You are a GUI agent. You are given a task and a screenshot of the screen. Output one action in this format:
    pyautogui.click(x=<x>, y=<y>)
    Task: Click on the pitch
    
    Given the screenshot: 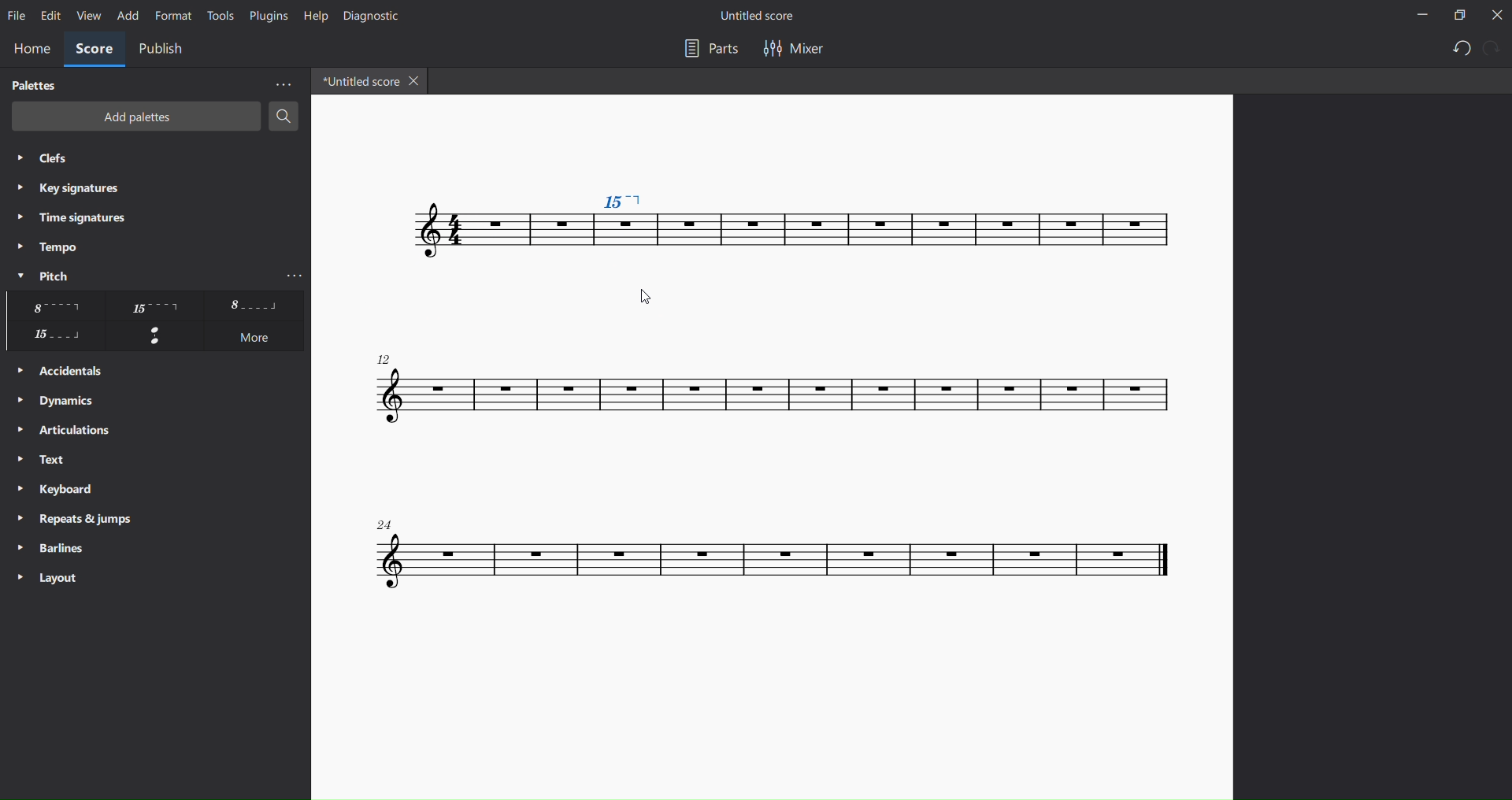 What is the action you would take?
    pyautogui.click(x=38, y=275)
    